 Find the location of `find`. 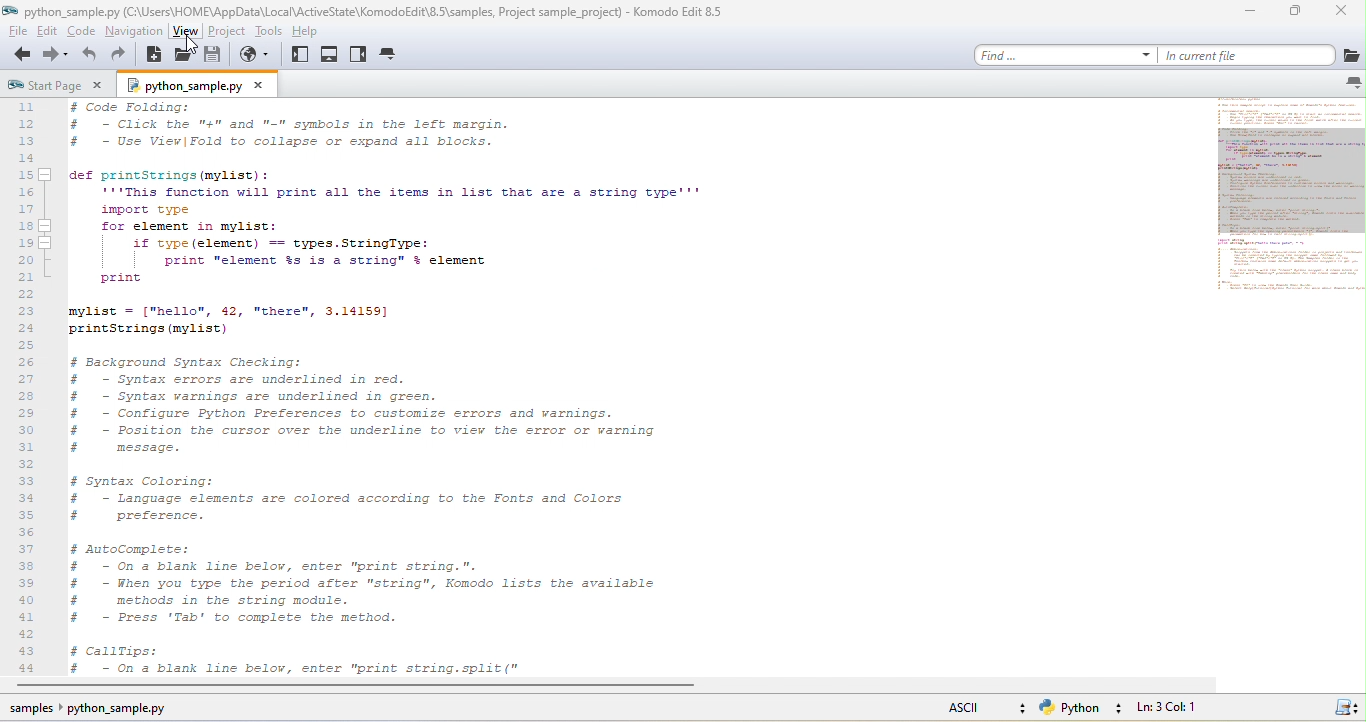

find is located at coordinates (1068, 53).